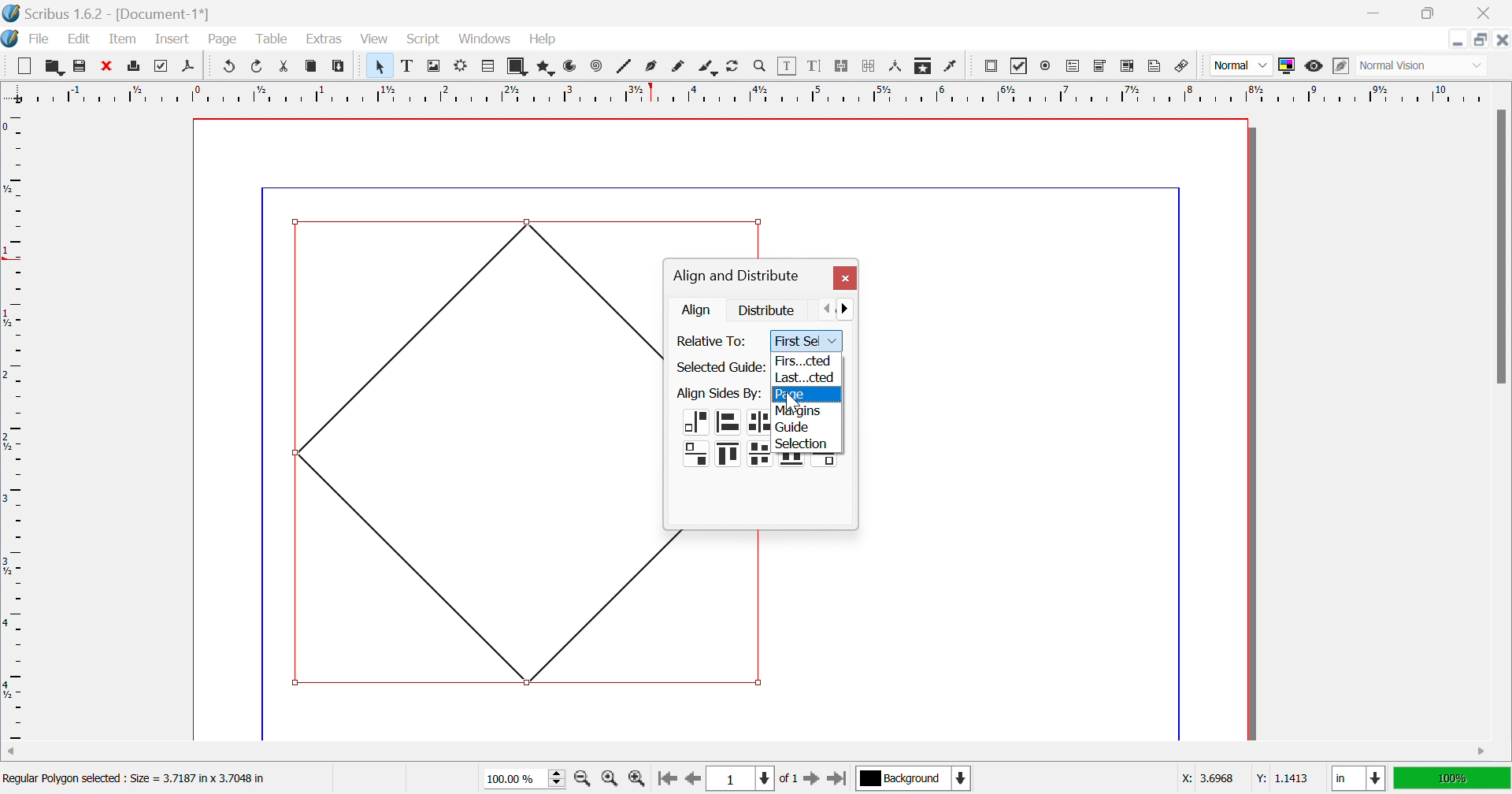 The height and width of the screenshot is (794, 1512). Describe the element at coordinates (288, 69) in the screenshot. I see `Cut` at that location.